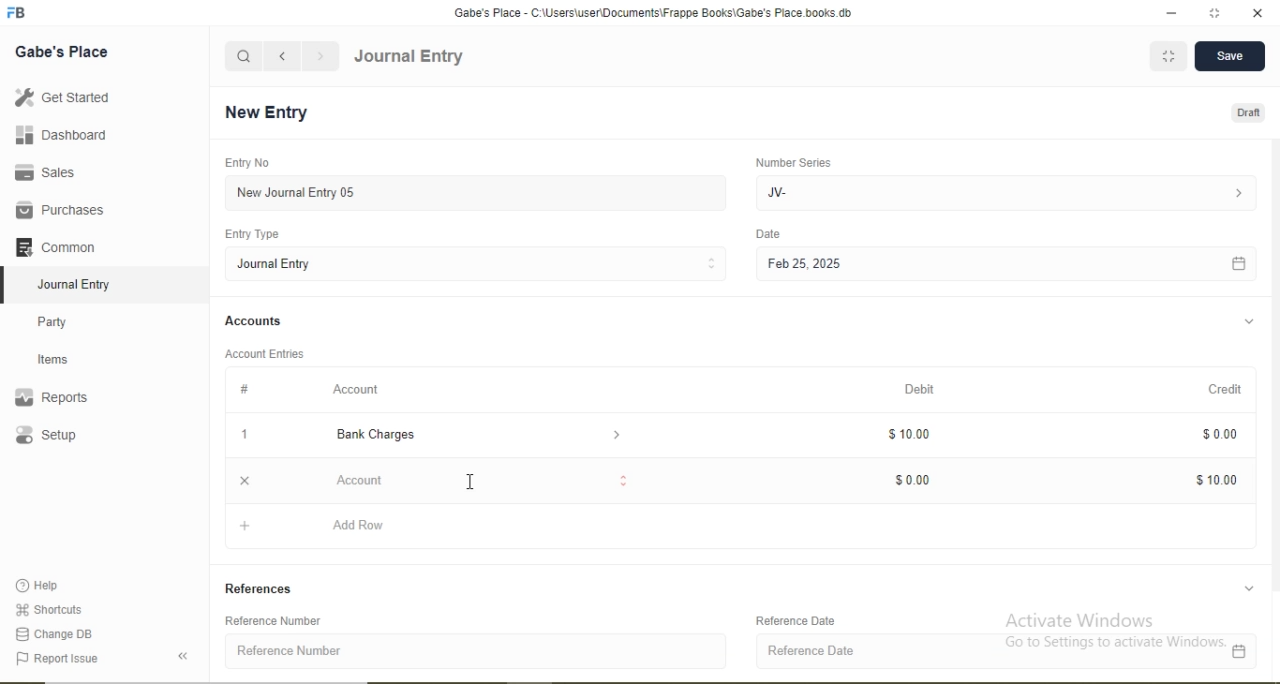 The height and width of the screenshot is (684, 1280). What do you see at coordinates (246, 389) in the screenshot?
I see `#` at bounding box center [246, 389].